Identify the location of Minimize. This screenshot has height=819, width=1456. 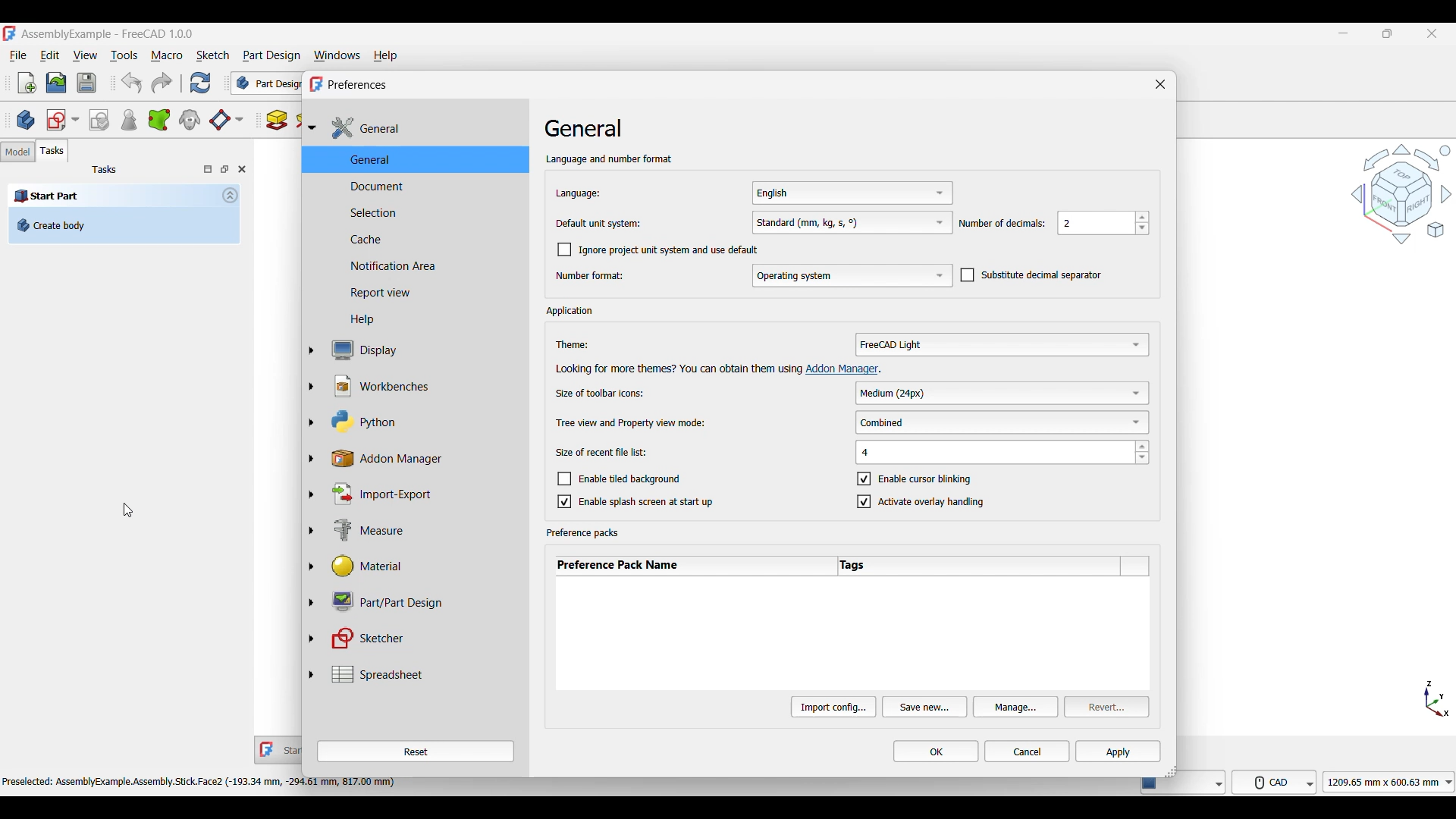
(1344, 33).